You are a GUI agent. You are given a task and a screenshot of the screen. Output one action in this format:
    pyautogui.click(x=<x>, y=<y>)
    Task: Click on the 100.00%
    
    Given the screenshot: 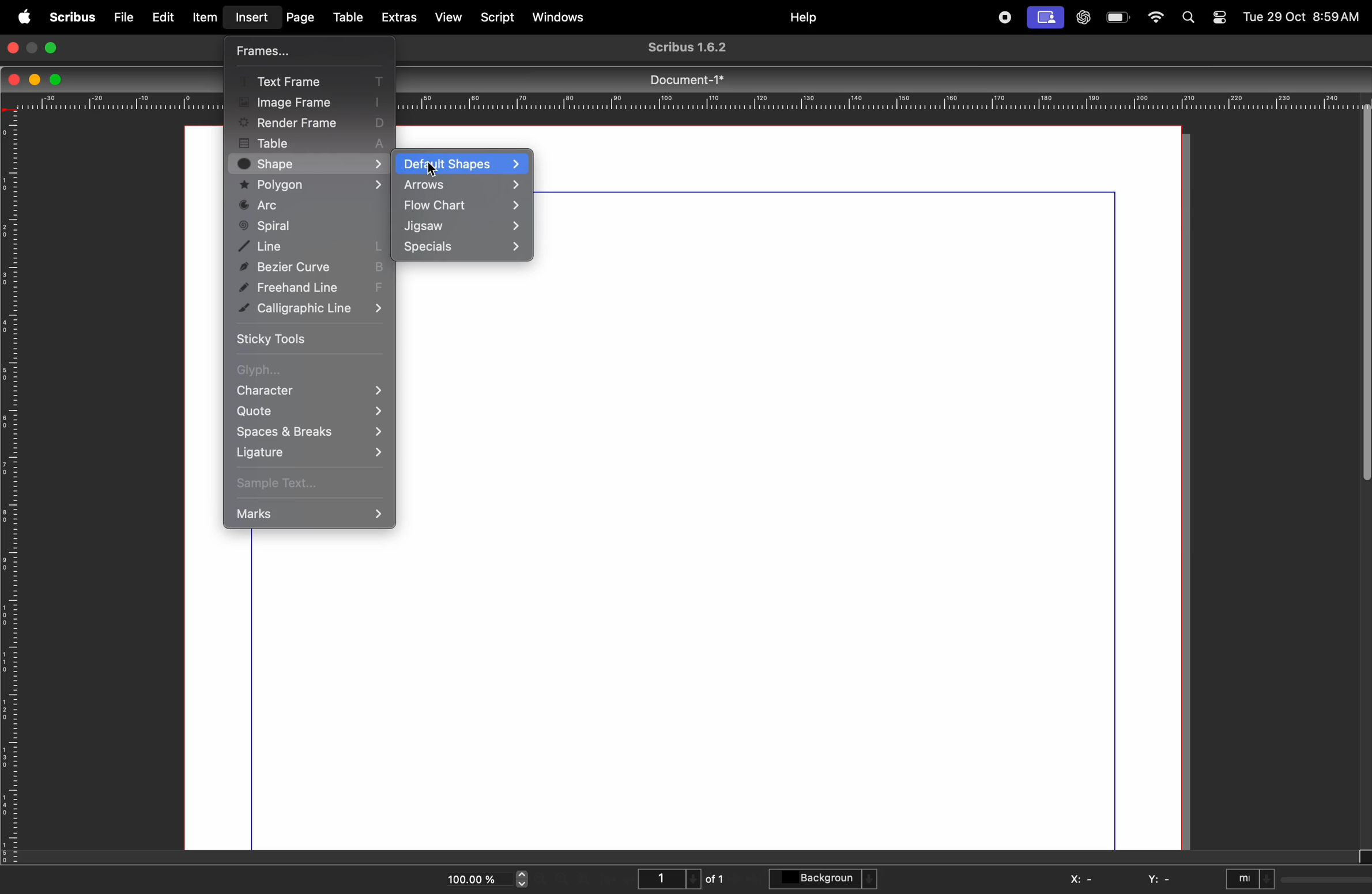 What is the action you would take?
    pyautogui.click(x=469, y=876)
    